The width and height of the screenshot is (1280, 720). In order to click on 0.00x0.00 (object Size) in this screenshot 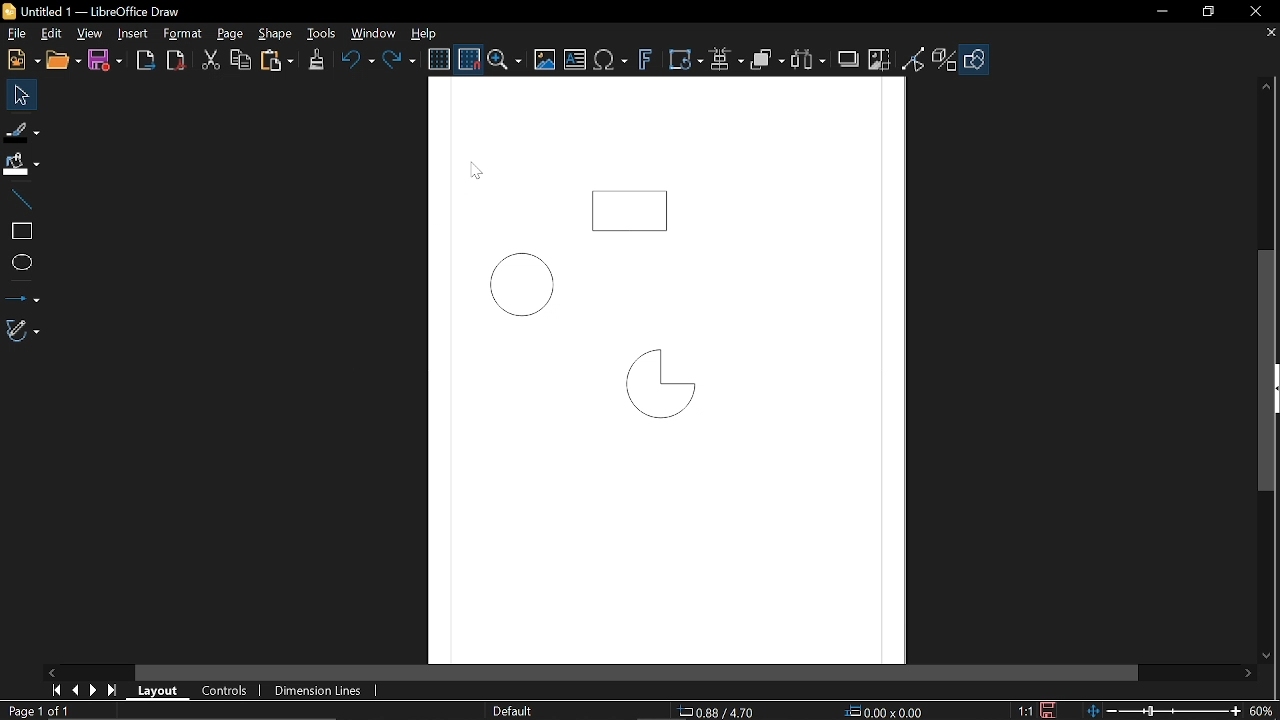, I will do `click(890, 711)`.